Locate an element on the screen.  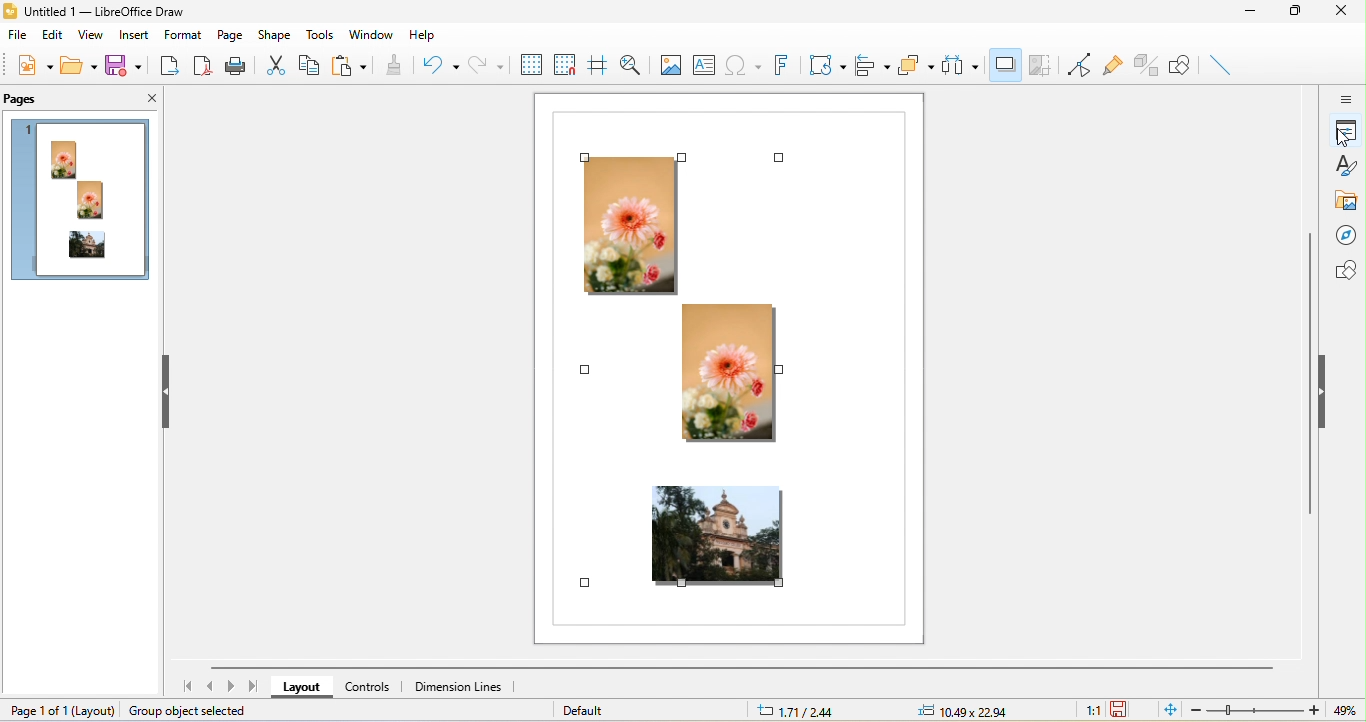
hide is located at coordinates (1330, 391).